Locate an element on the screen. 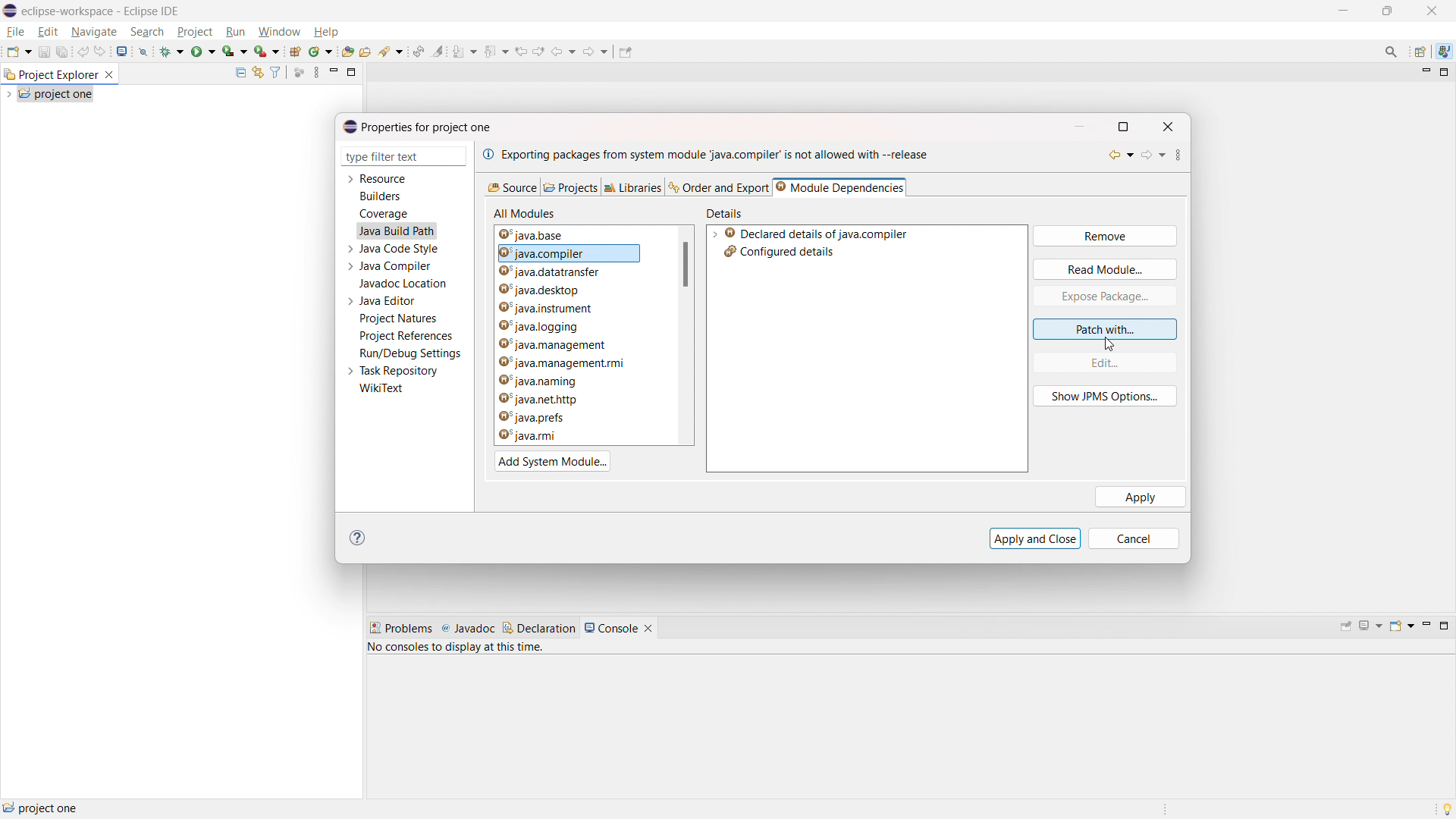 The image size is (1456, 819). open task is located at coordinates (366, 51).